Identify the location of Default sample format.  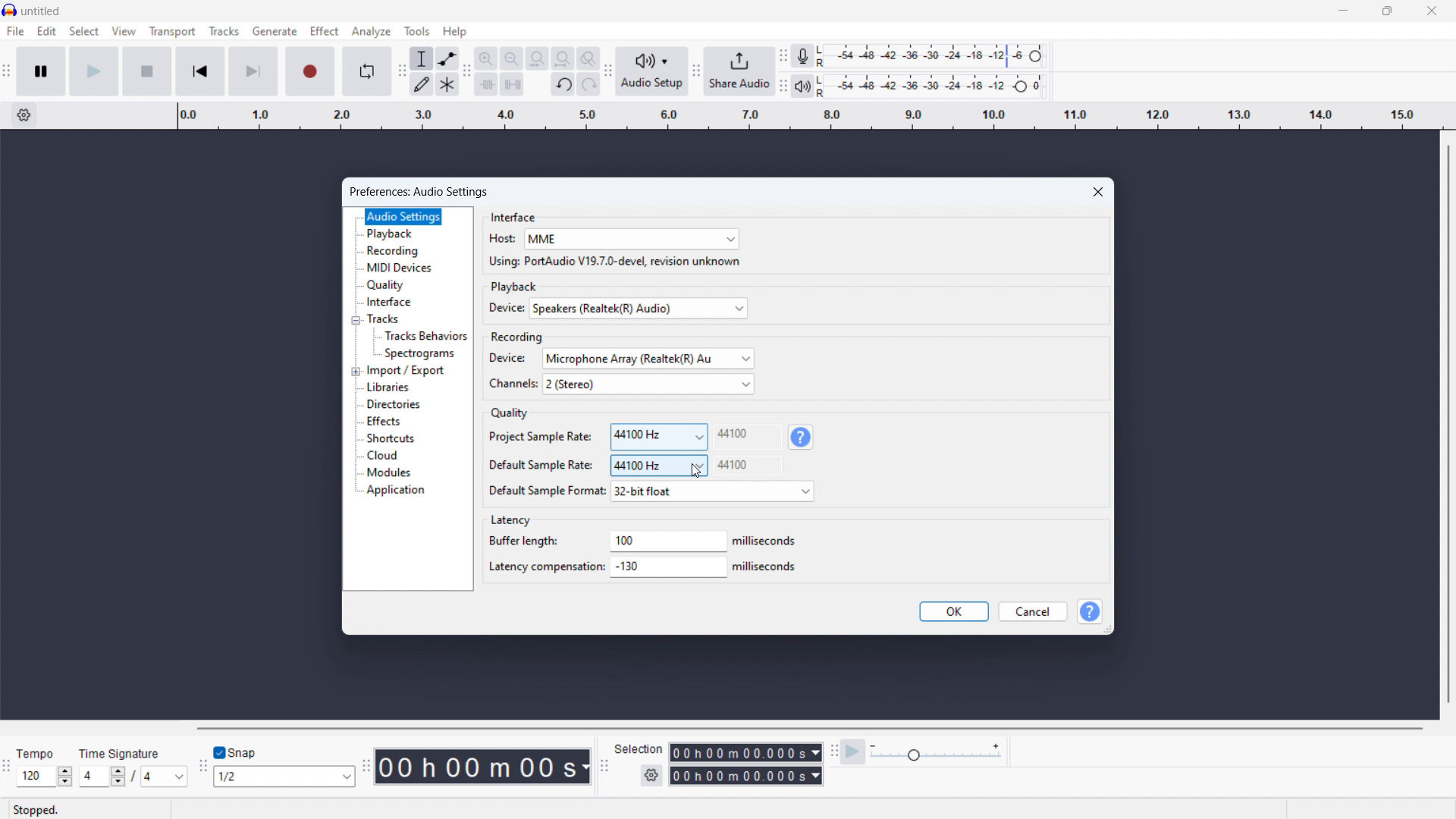
(544, 490).